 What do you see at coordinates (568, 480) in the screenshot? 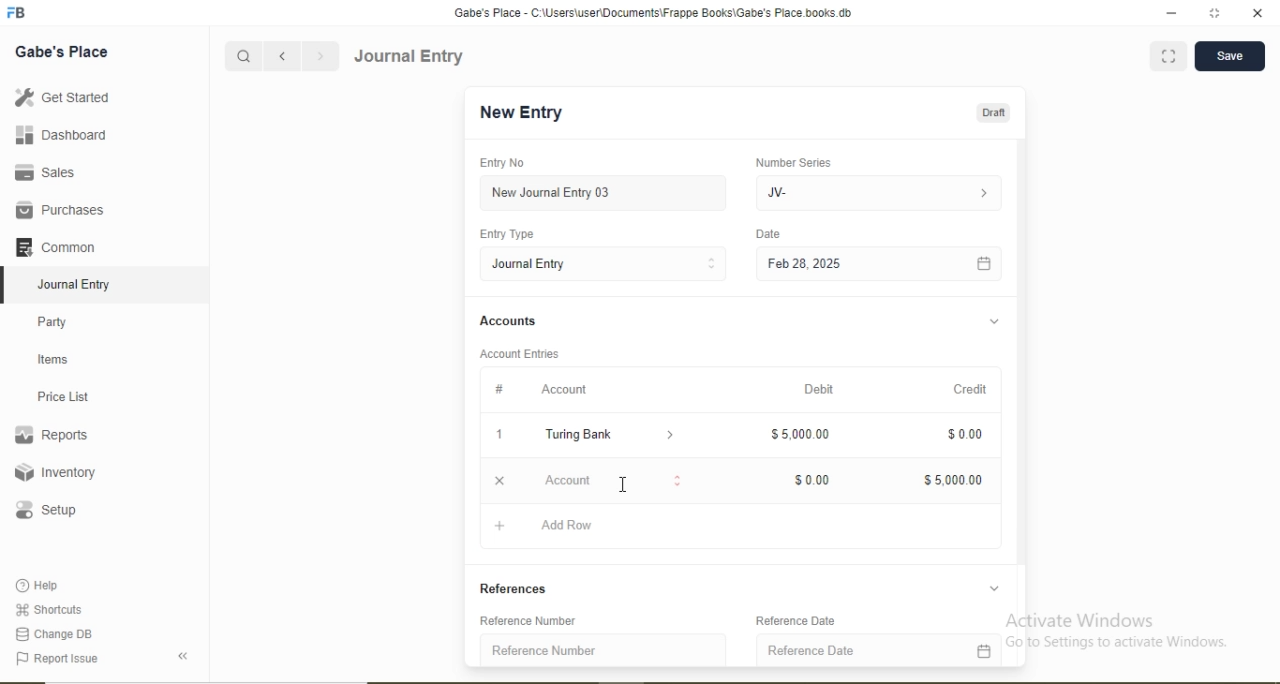
I see `Account` at bounding box center [568, 480].